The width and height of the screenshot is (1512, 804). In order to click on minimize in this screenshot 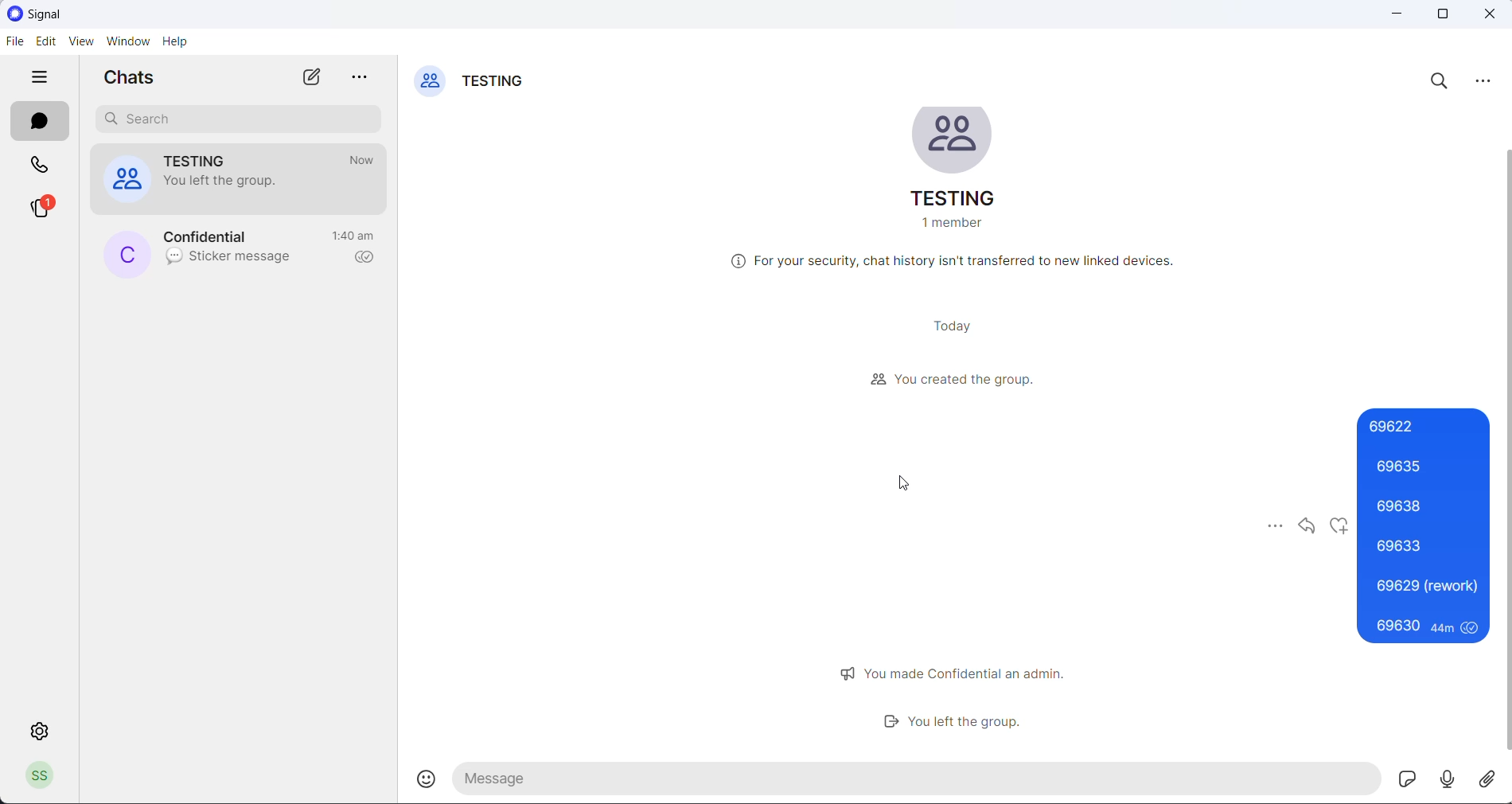, I will do `click(1395, 16)`.